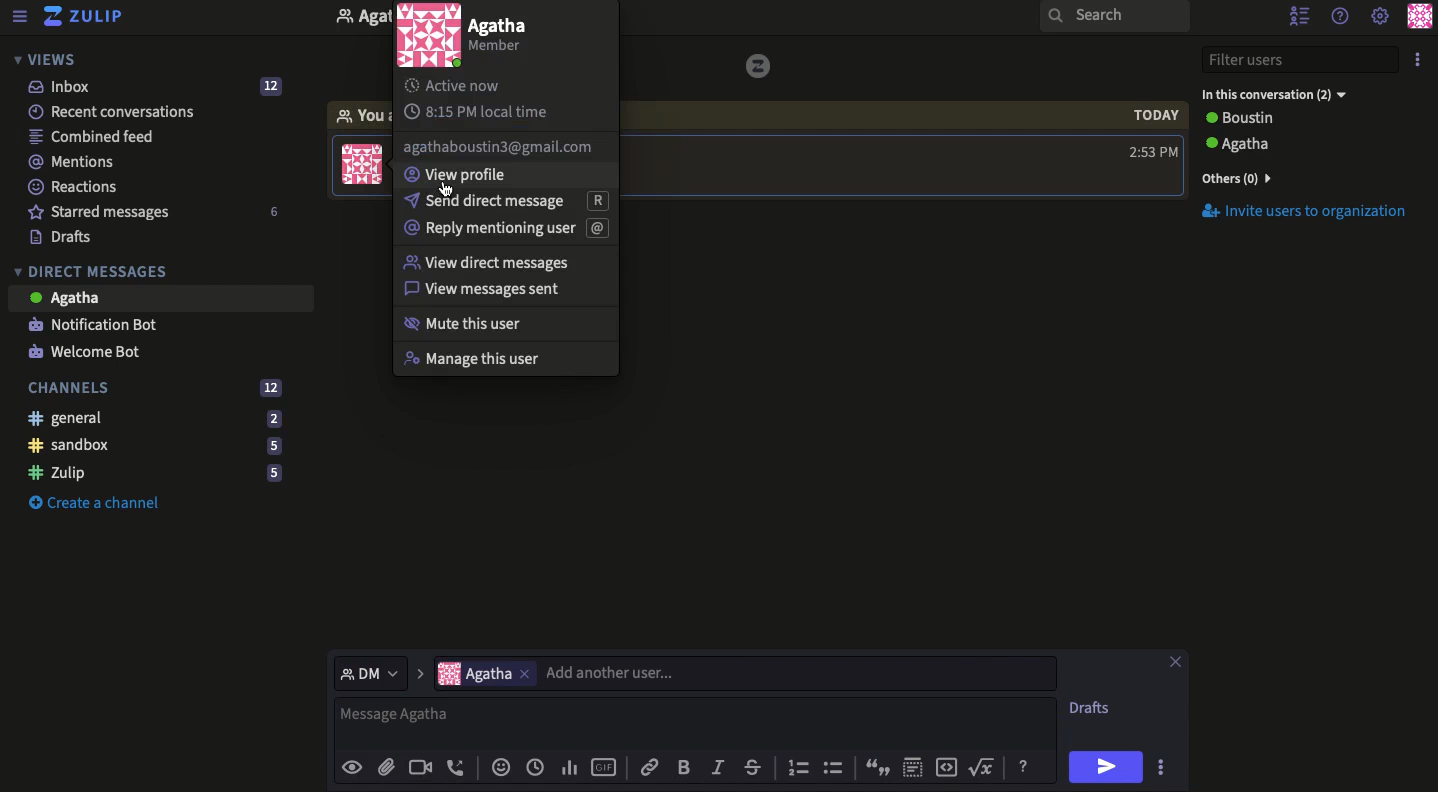  What do you see at coordinates (504, 202) in the screenshot?
I see `Send DM` at bounding box center [504, 202].